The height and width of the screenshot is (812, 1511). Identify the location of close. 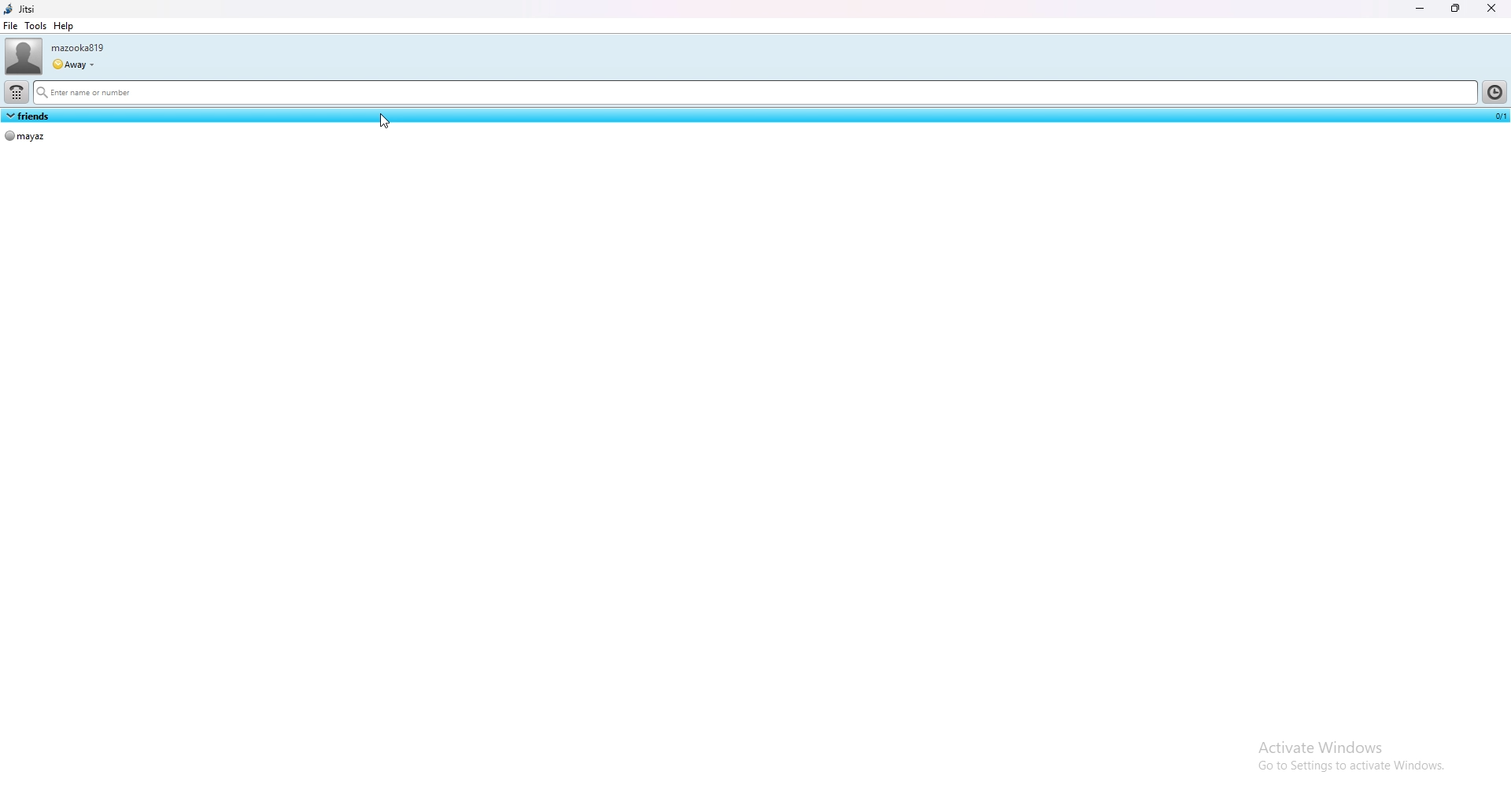
(1490, 9).